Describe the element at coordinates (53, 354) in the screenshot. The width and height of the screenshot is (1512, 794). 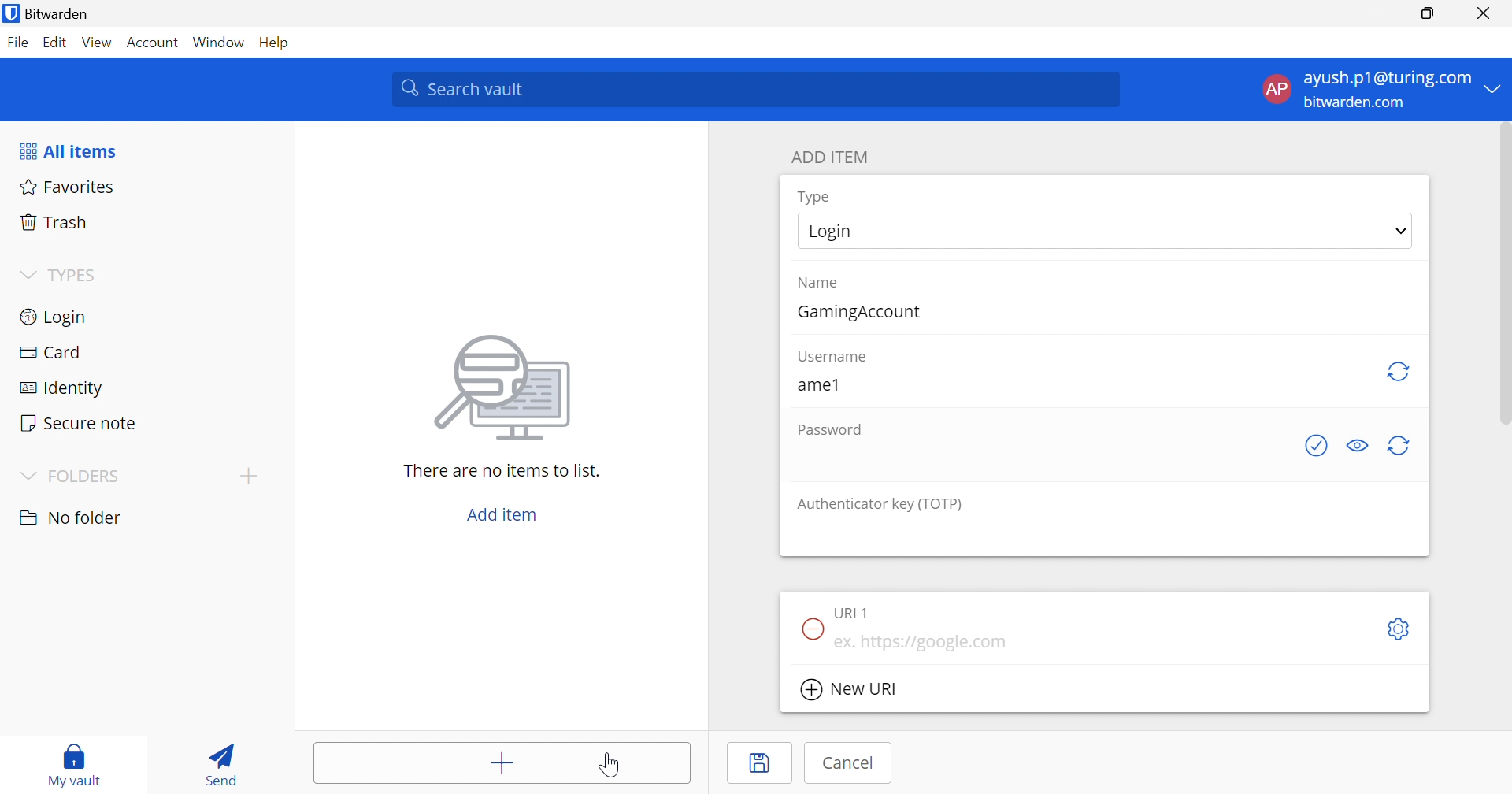
I see `Card` at that location.